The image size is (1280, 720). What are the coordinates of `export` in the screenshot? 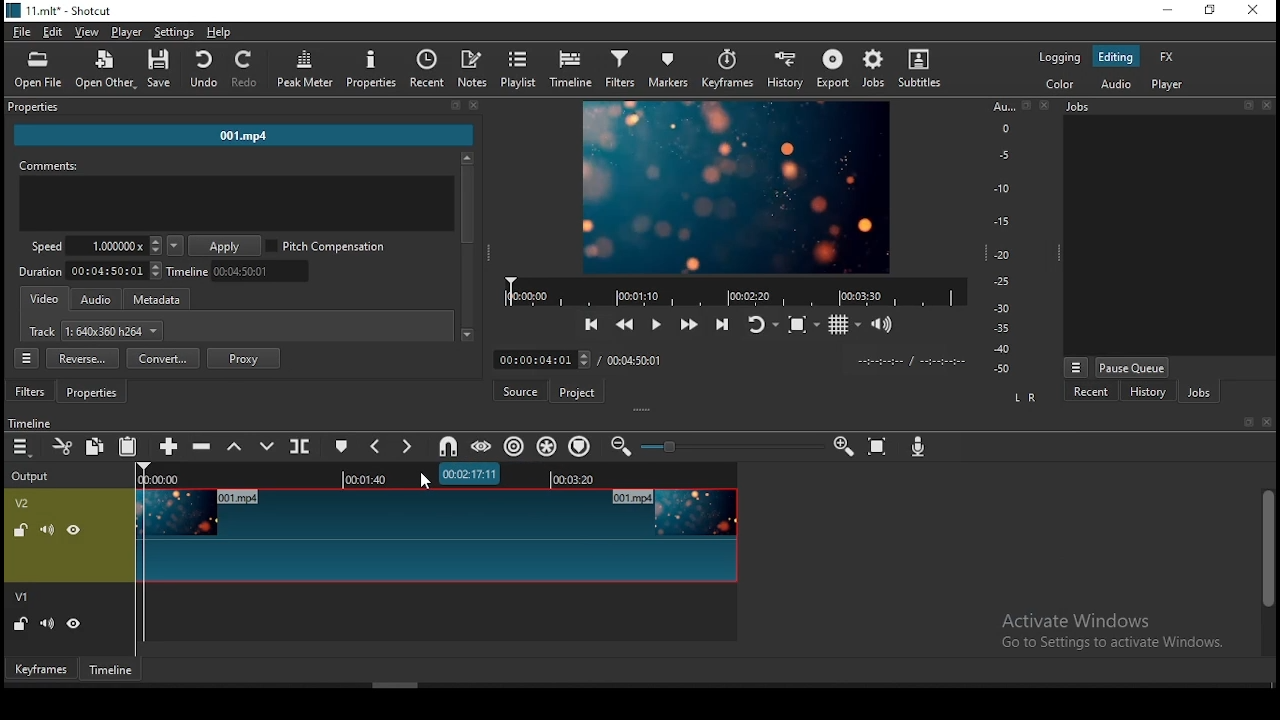 It's located at (833, 69).